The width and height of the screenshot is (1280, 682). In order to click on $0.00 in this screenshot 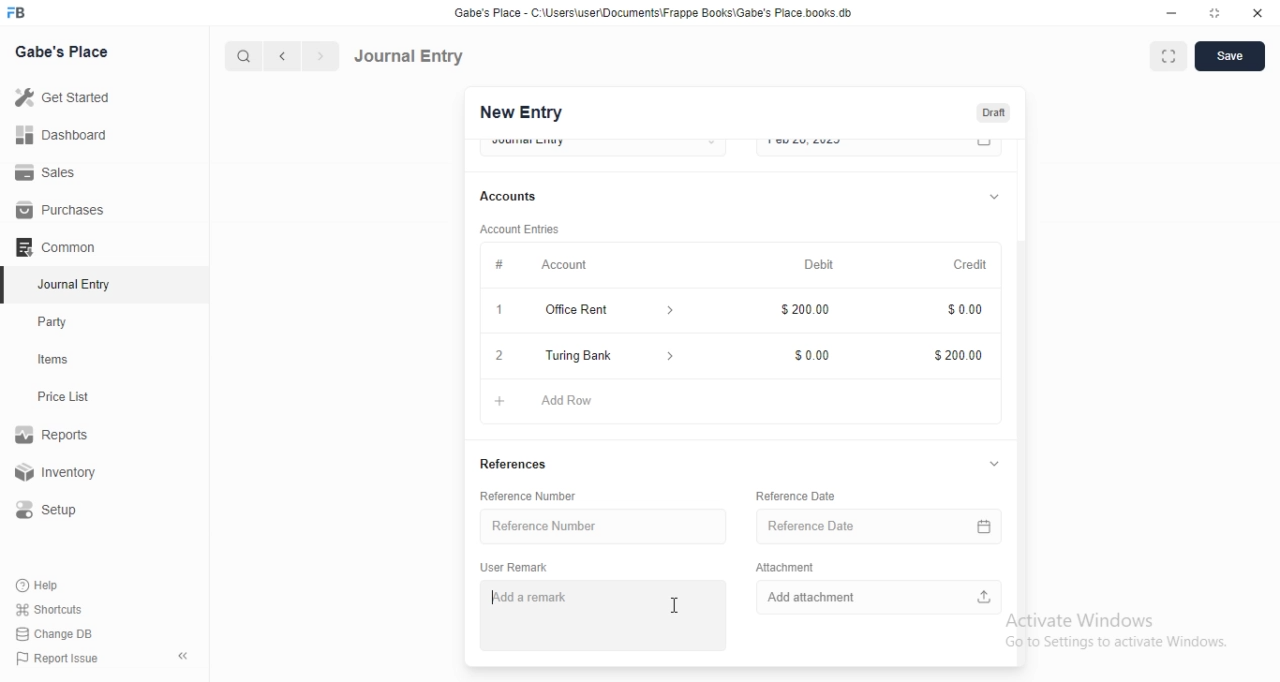, I will do `click(804, 355)`.